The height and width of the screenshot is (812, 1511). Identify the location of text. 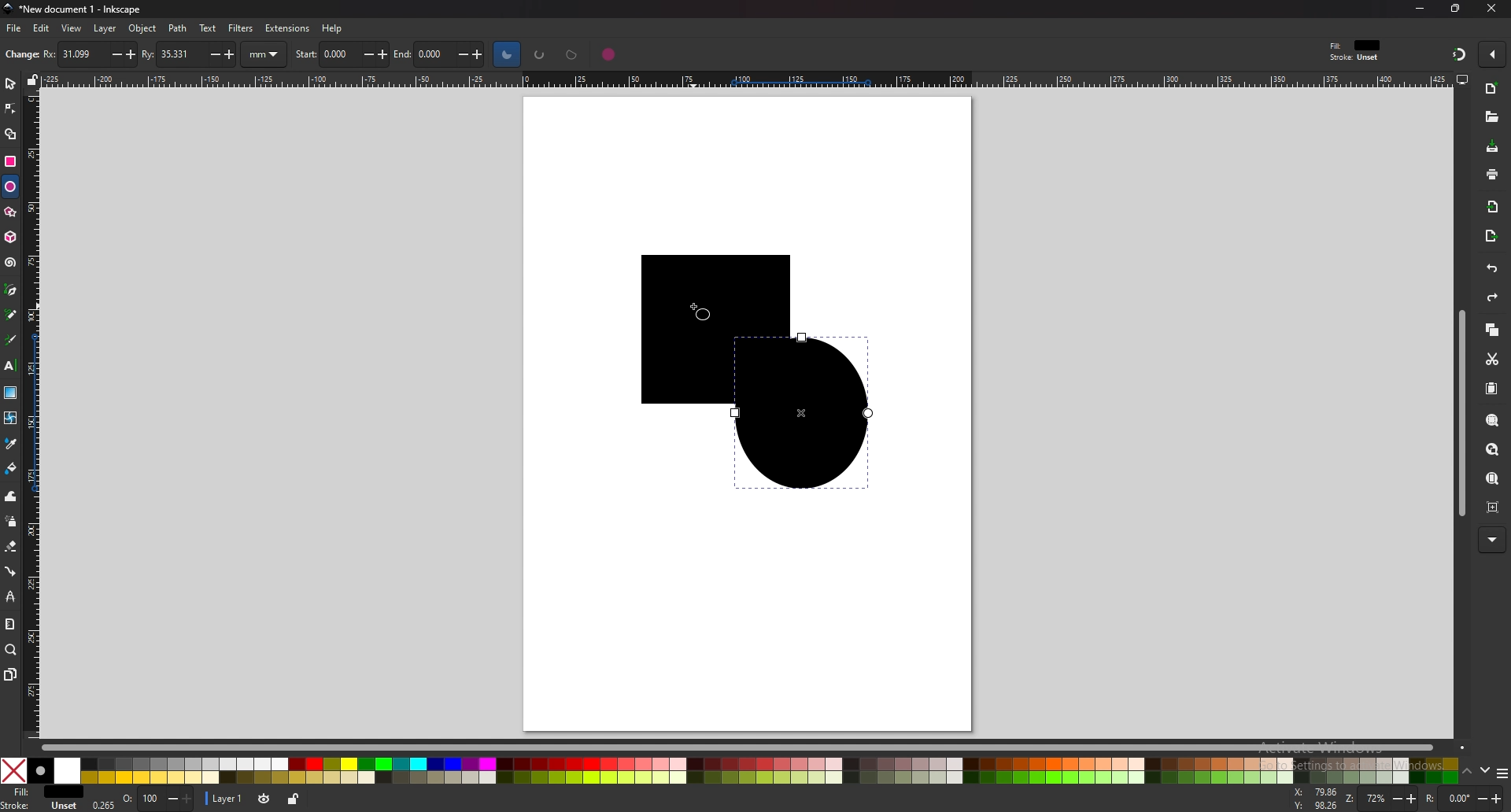
(208, 28).